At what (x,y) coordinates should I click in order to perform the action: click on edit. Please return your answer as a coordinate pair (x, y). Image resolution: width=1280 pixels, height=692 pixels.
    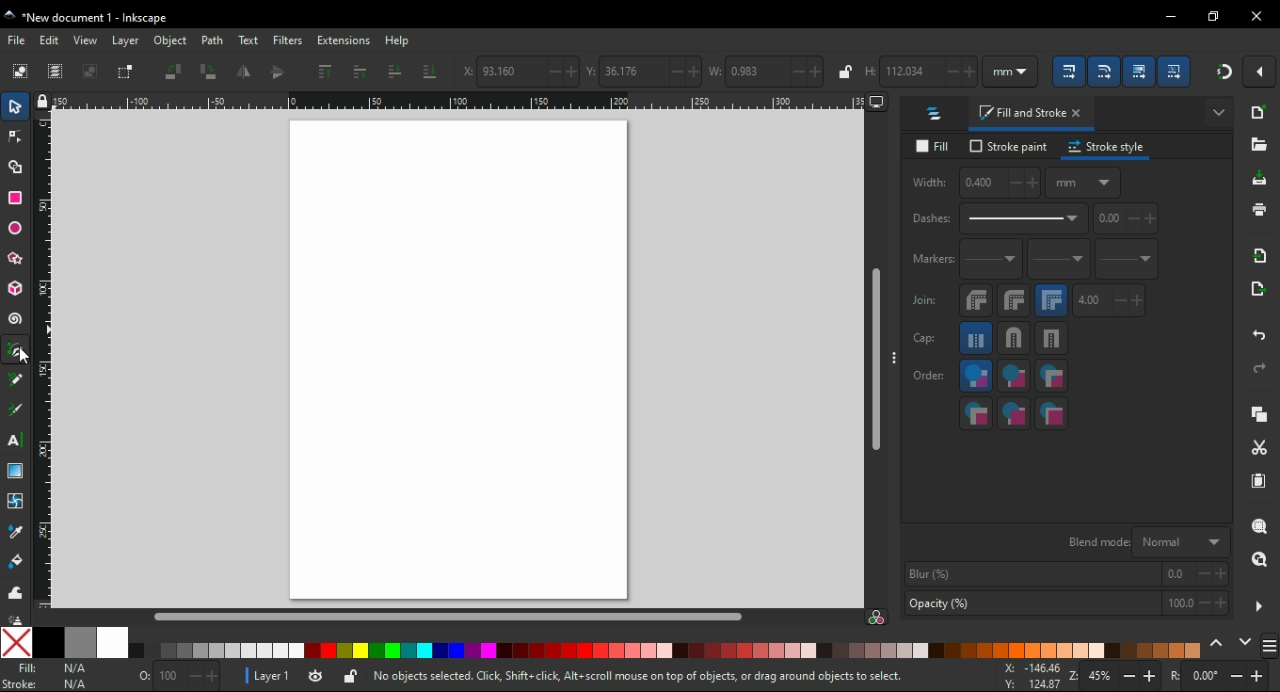
    Looking at the image, I should click on (50, 40).